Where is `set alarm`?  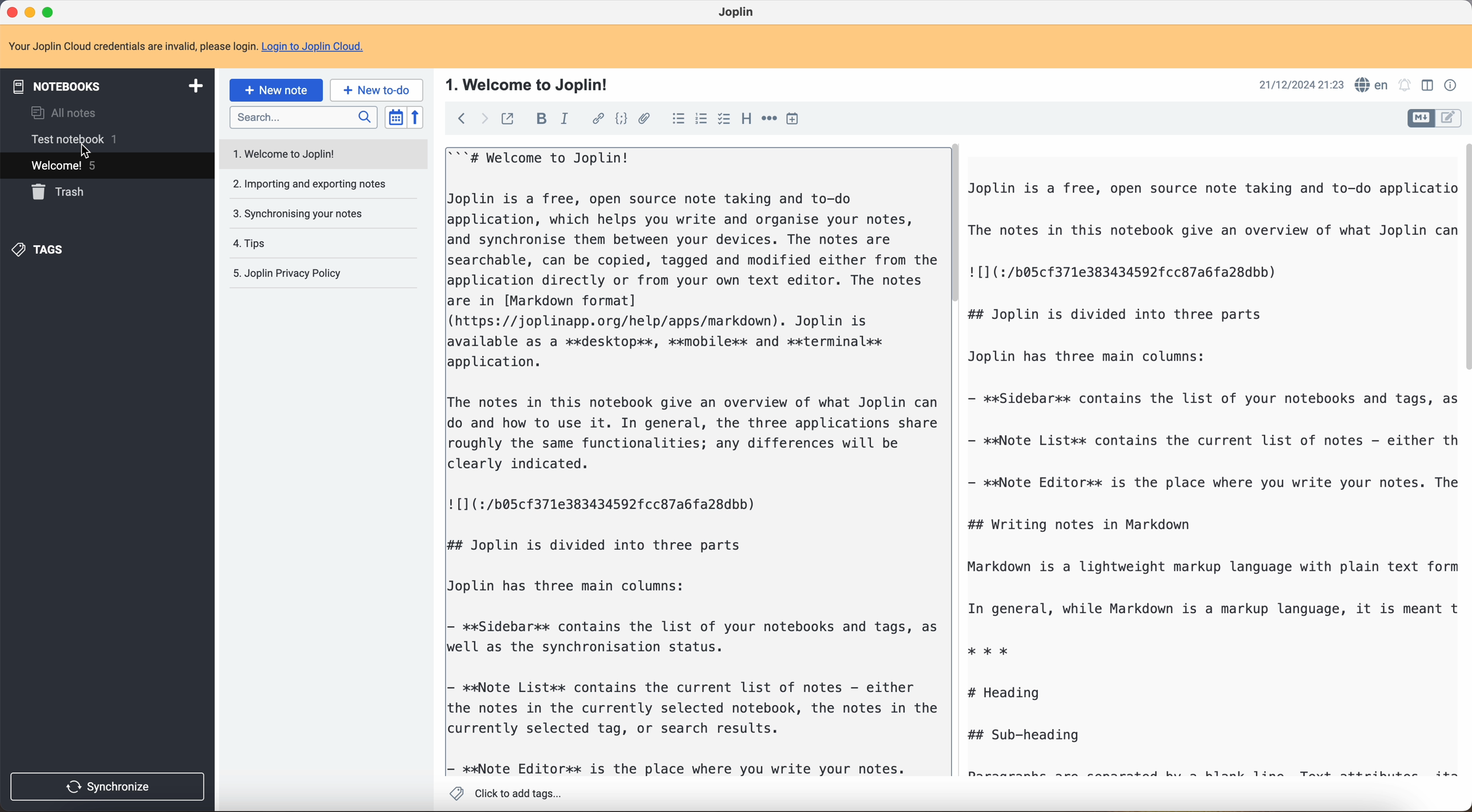 set alarm is located at coordinates (1403, 85).